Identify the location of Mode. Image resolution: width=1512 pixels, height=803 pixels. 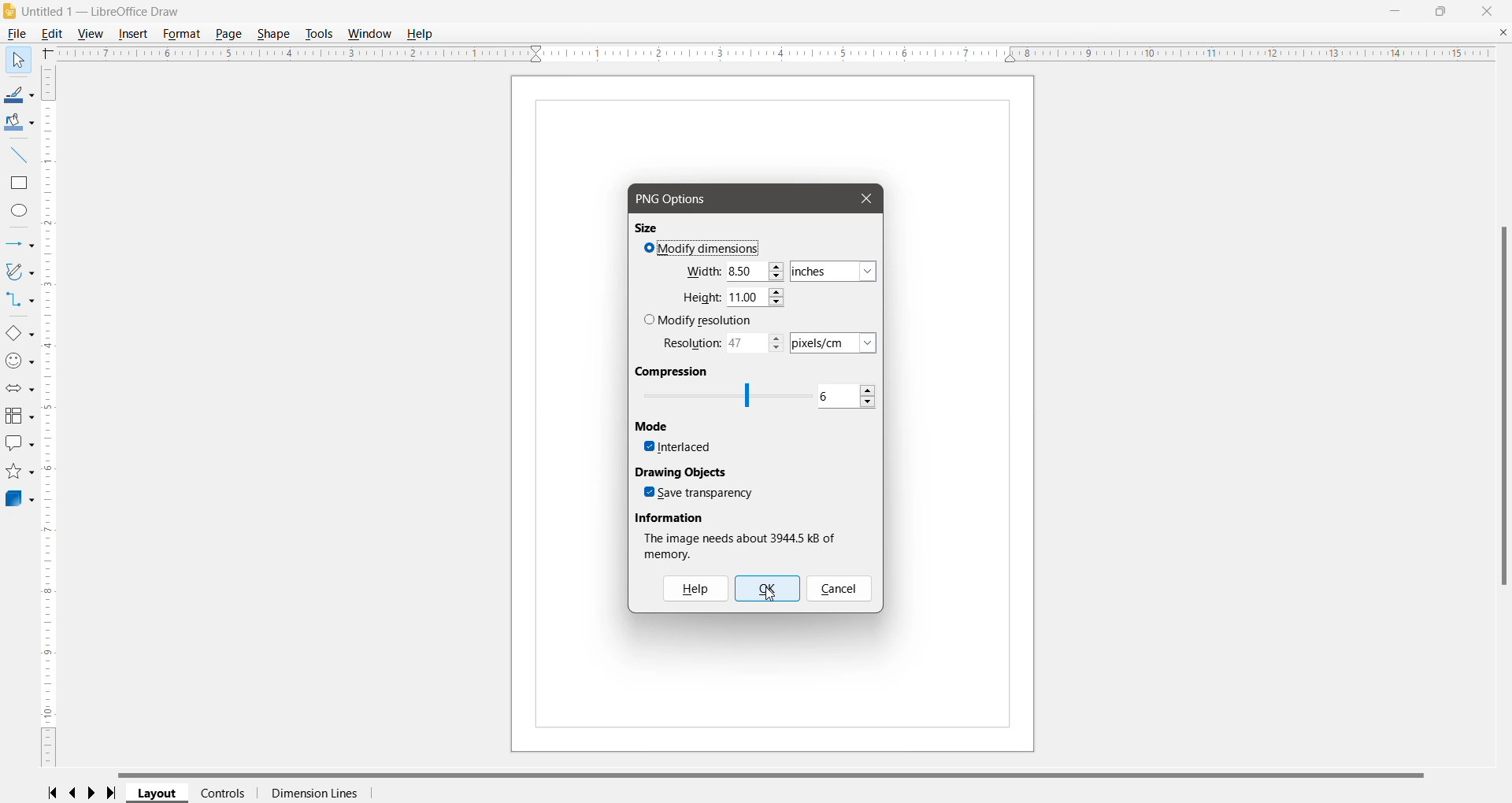
(654, 427).